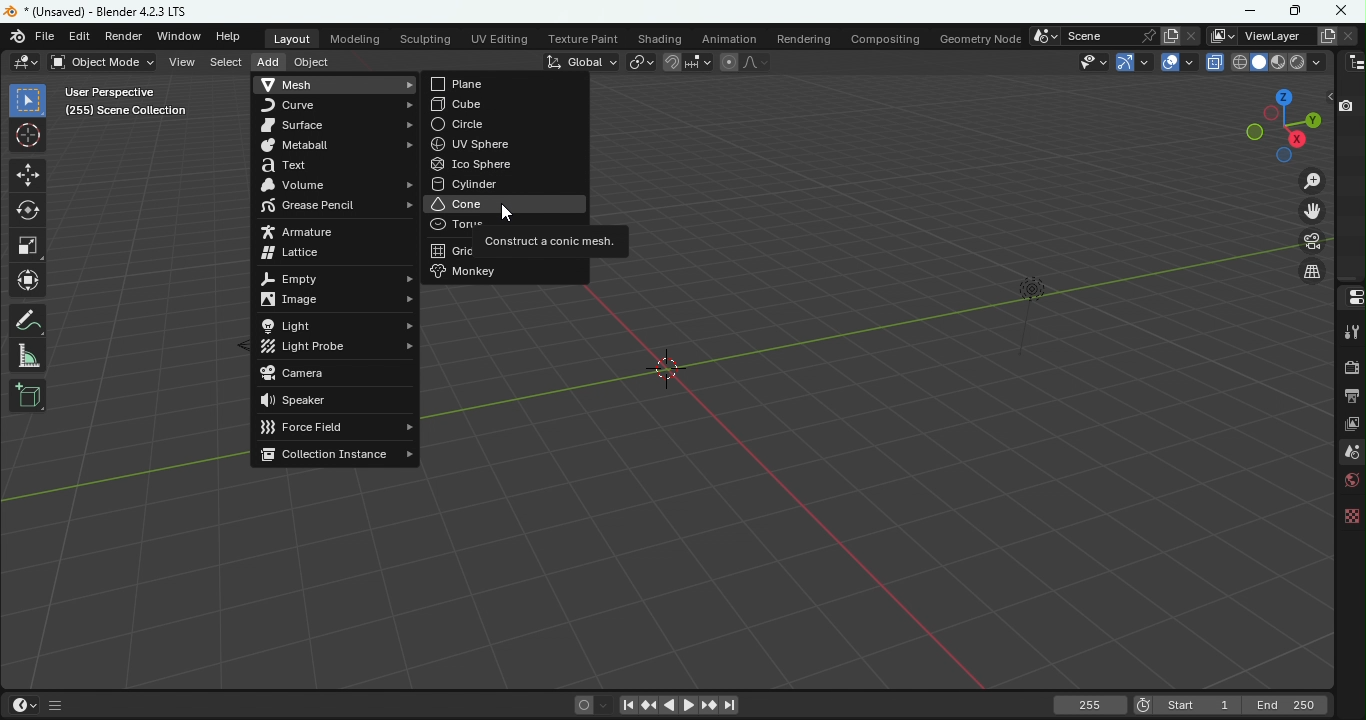  Describe the element at coordinates (499, 36) in the screenshot. I see `UV Editing` at that location.